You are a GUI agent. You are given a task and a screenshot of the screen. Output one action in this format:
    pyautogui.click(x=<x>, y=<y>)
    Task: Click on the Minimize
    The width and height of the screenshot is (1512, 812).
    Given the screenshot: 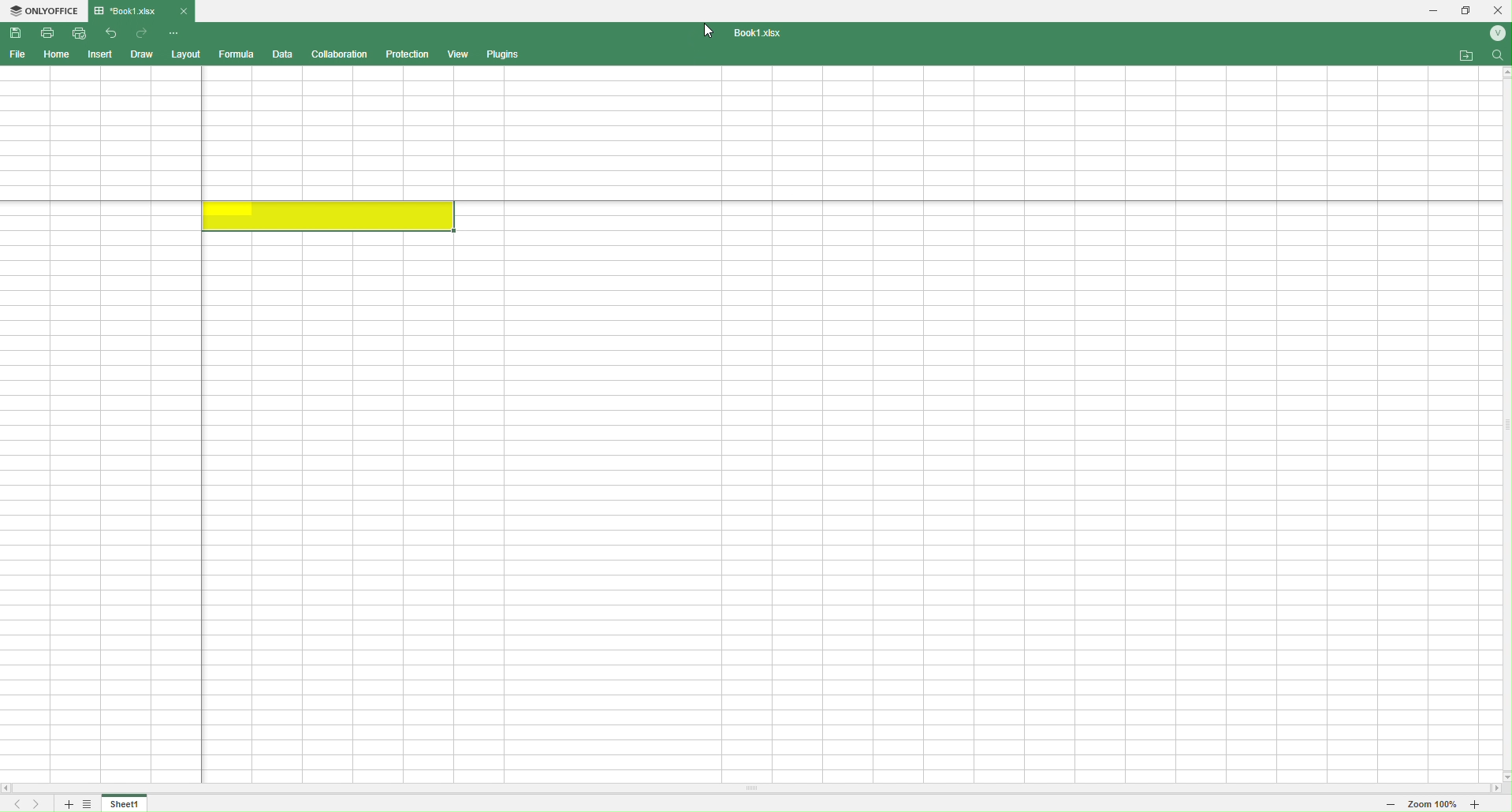 What is the action you would take?
    pyautogui.click(x=1428, y=11)
    